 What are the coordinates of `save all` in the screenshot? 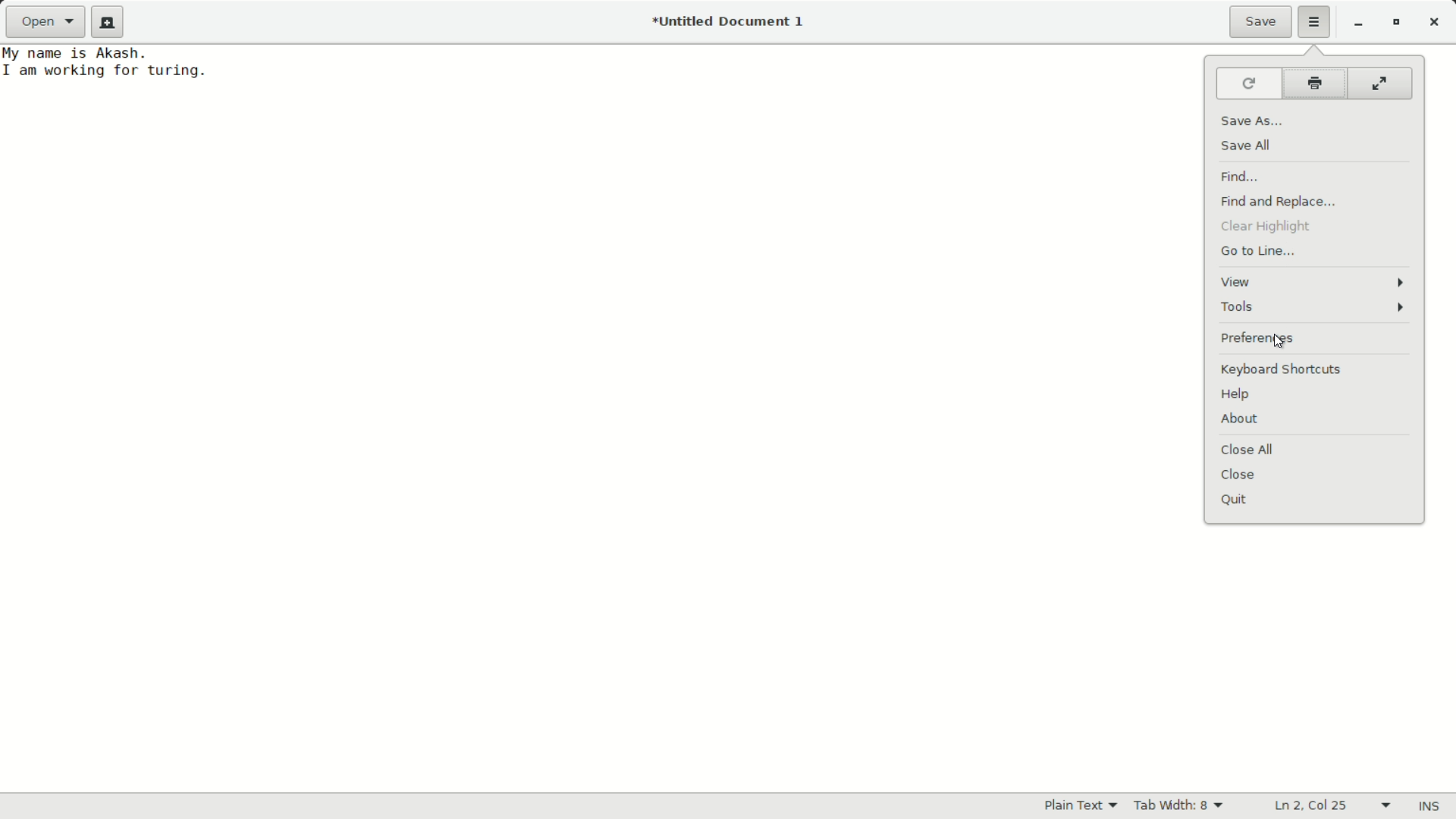 It's located at (1248, 146).